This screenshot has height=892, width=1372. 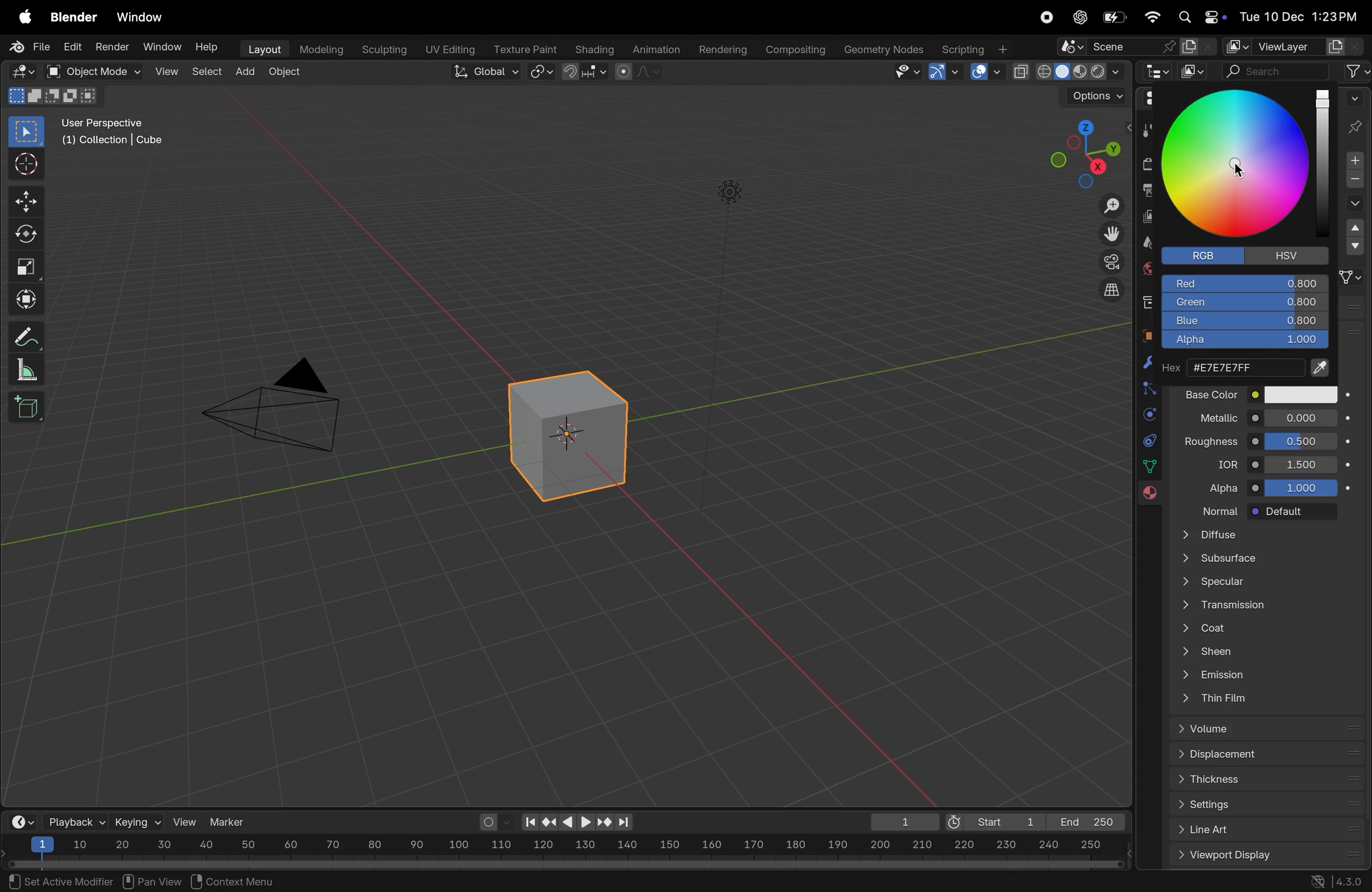 What do you see at coordinates (658, 48) in the screenshot?
I see `Animation` at bounding box center [658, 48].